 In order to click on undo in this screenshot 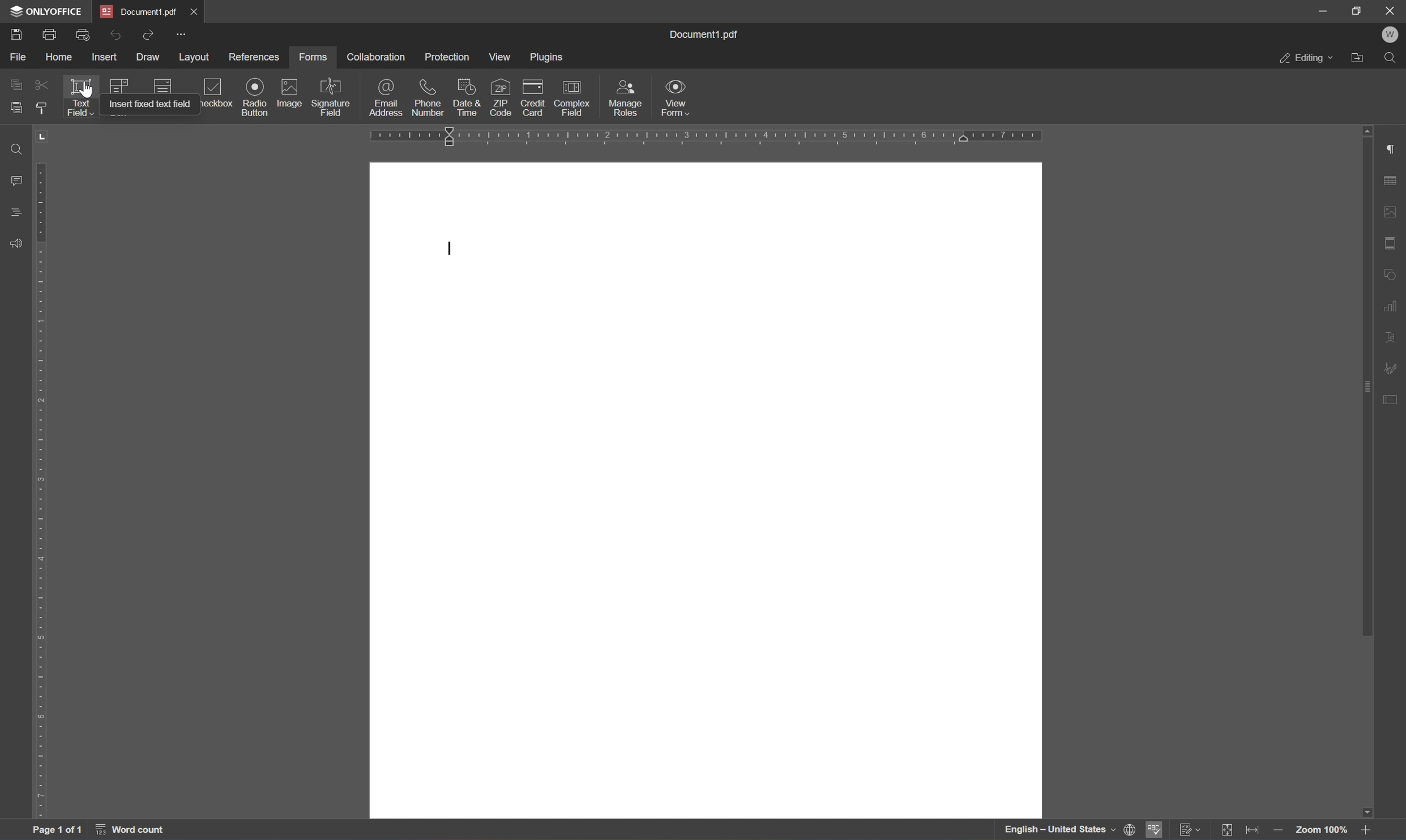, I will do `click(147, 37)`.